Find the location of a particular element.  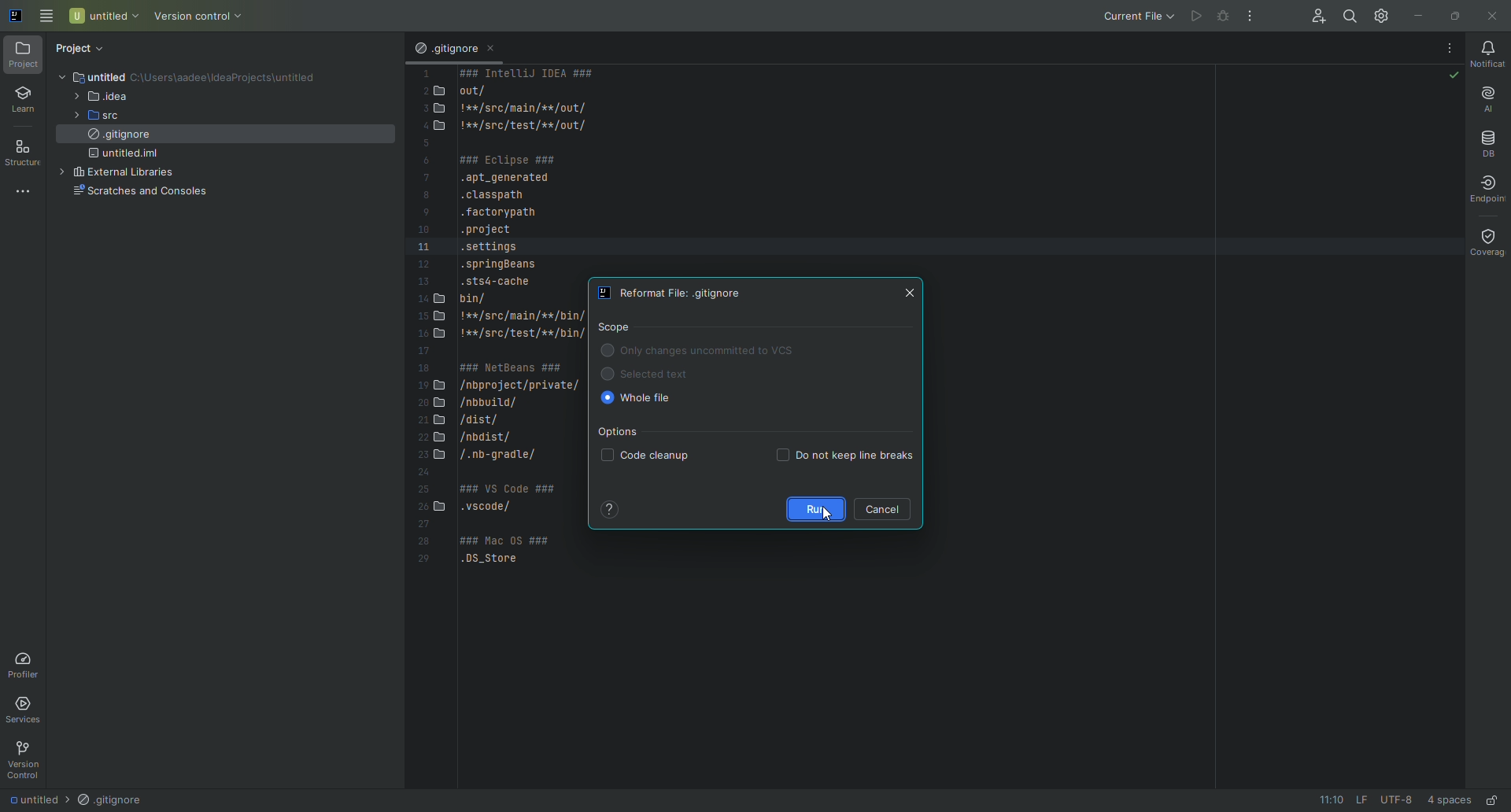

Close is located at coordinates (914, 293).